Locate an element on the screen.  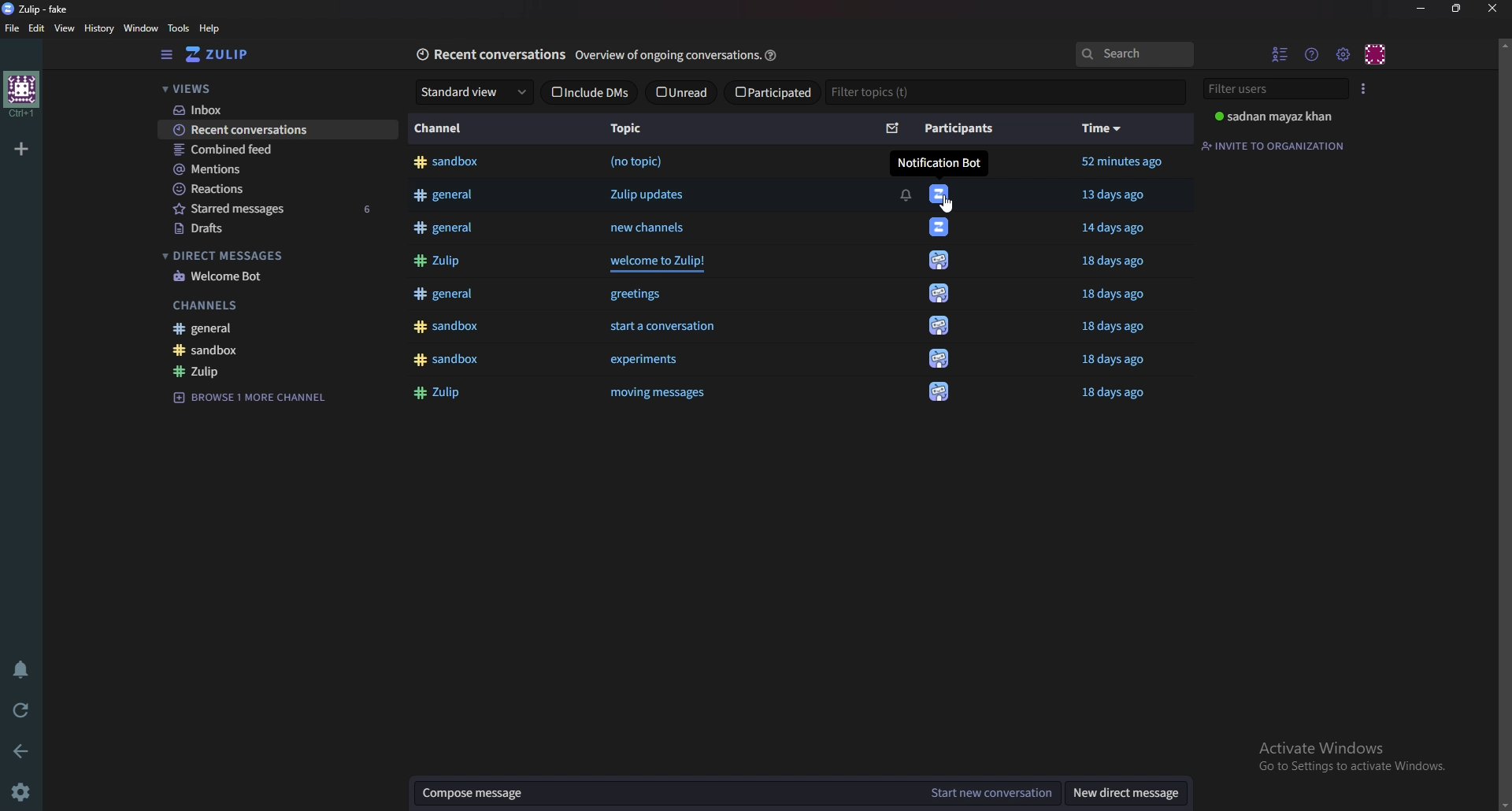
Topic is located at coordinates (629, 127).